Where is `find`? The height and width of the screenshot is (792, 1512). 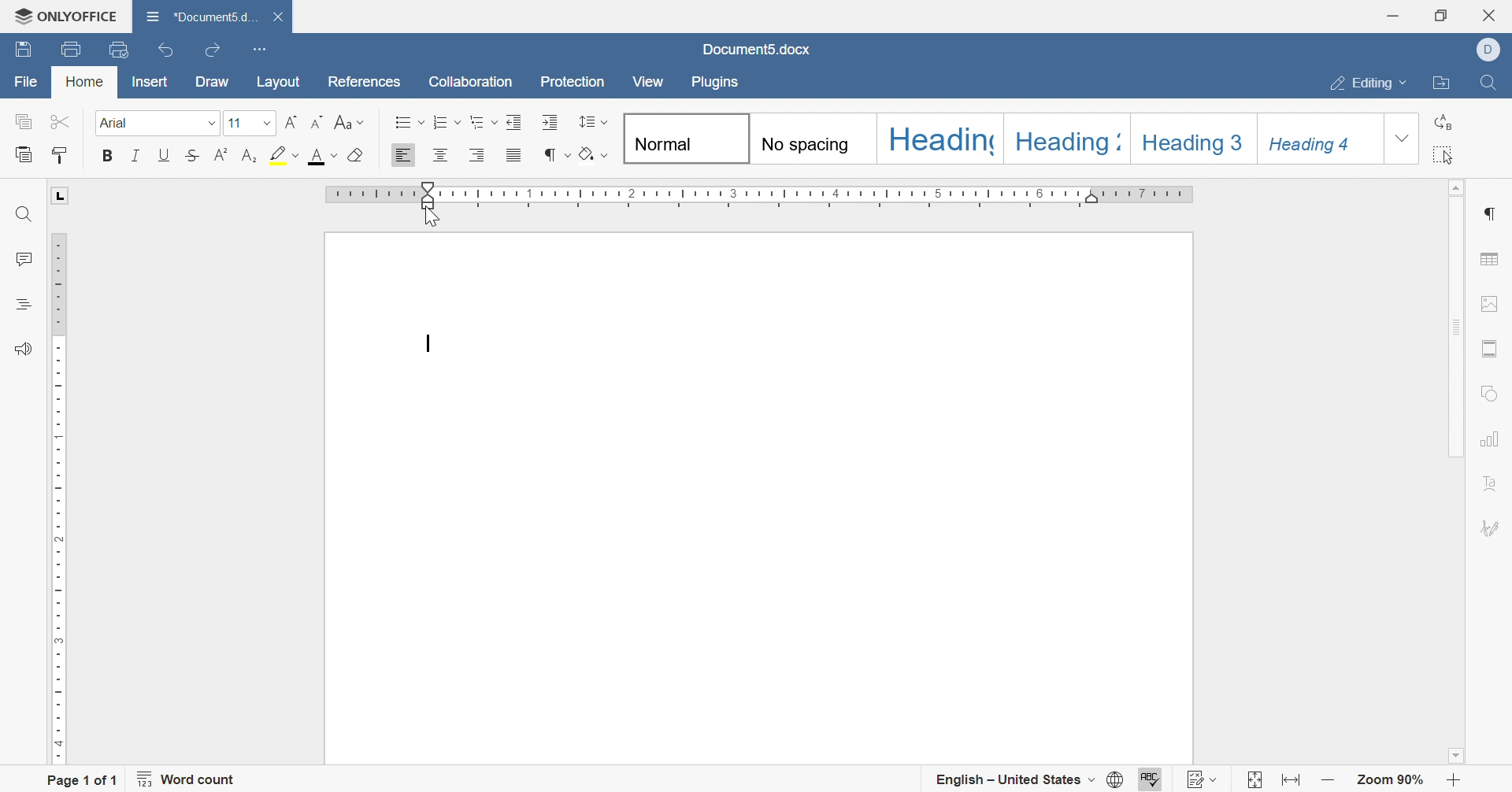 find is located at coordinates (24, 213).